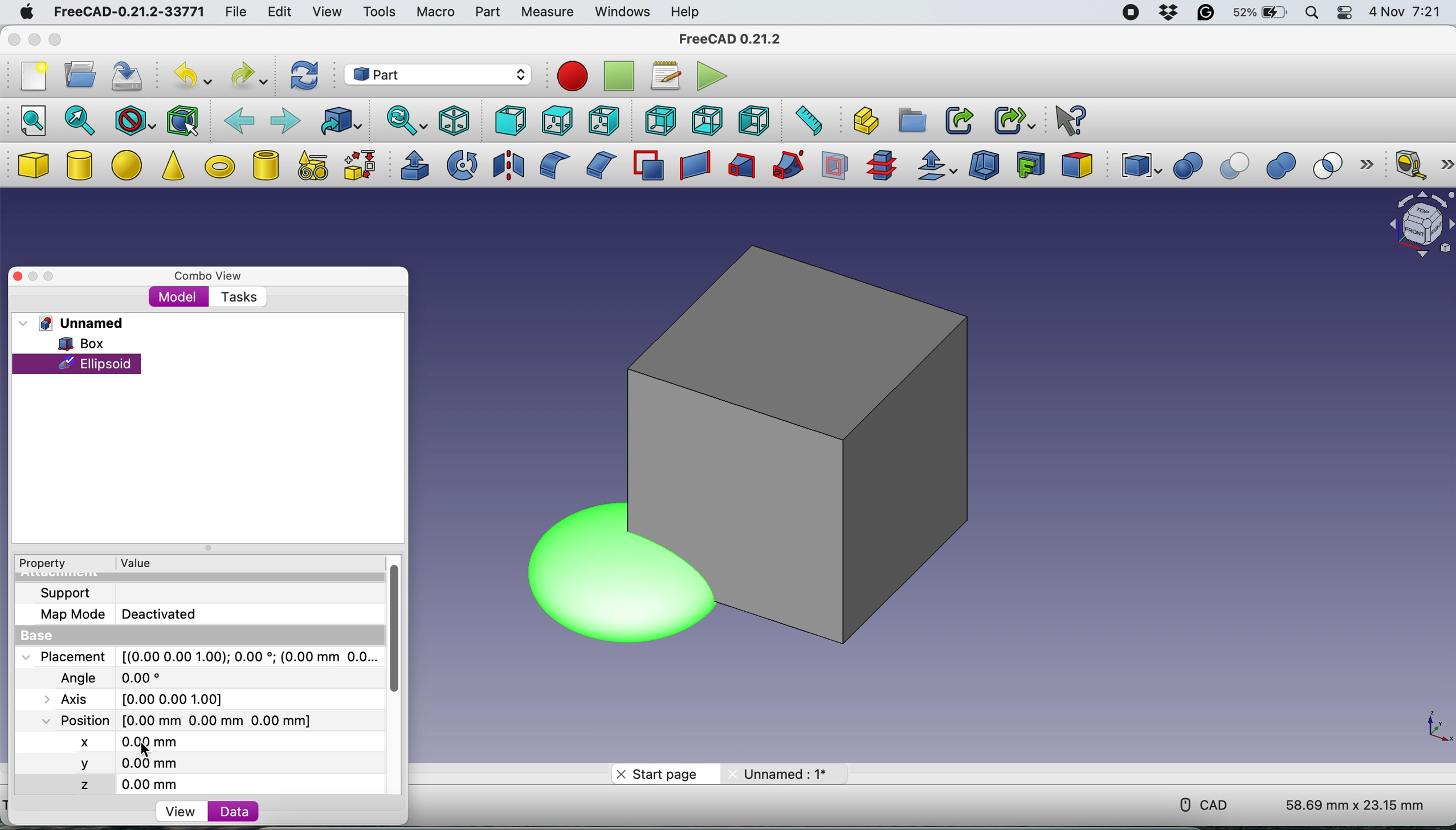 This screenshot has height=830, width=1456. I want to click on z 0.00 mm, so click(137, 784).